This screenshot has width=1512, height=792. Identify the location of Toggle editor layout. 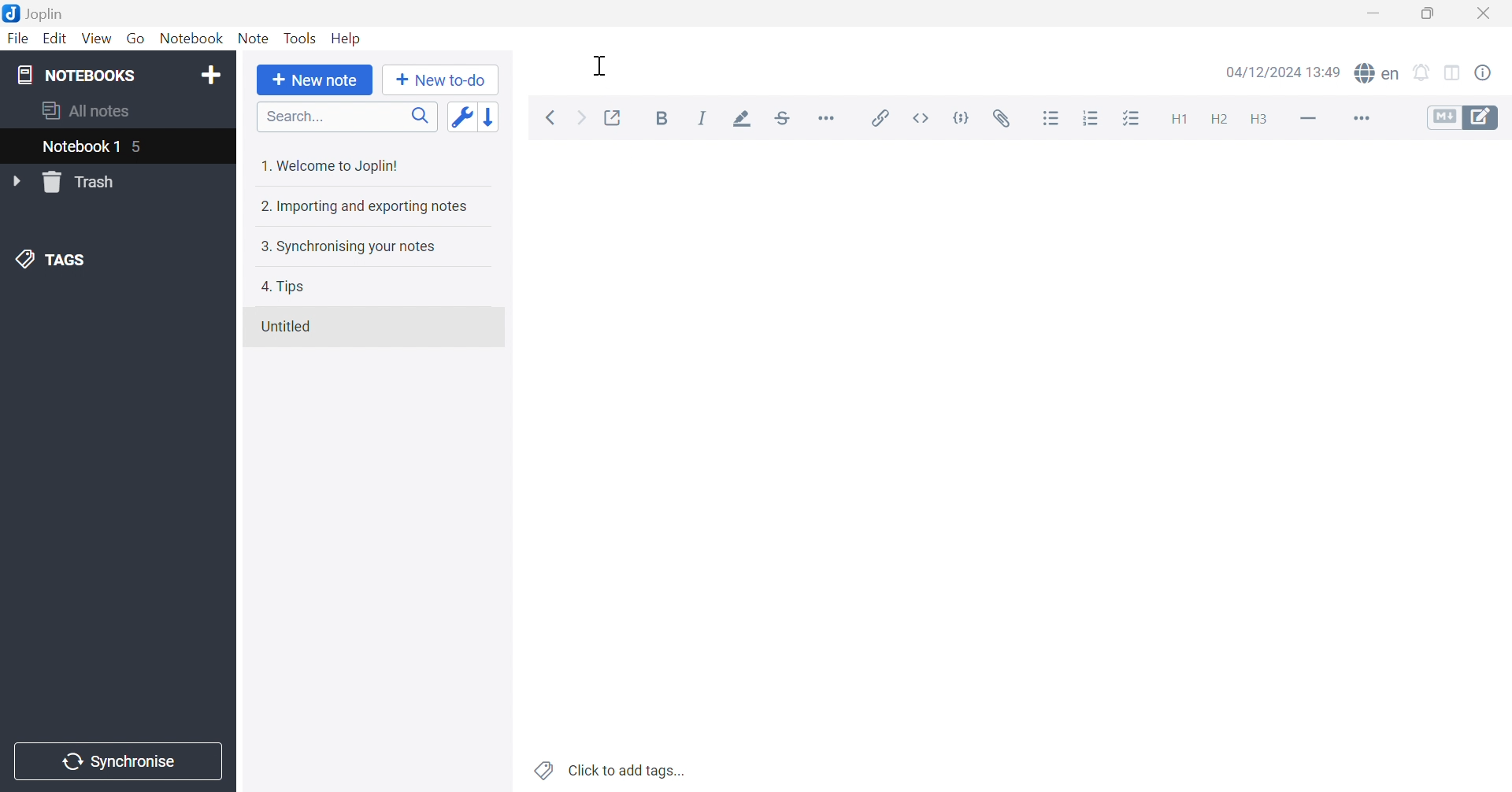
(1453, 73).